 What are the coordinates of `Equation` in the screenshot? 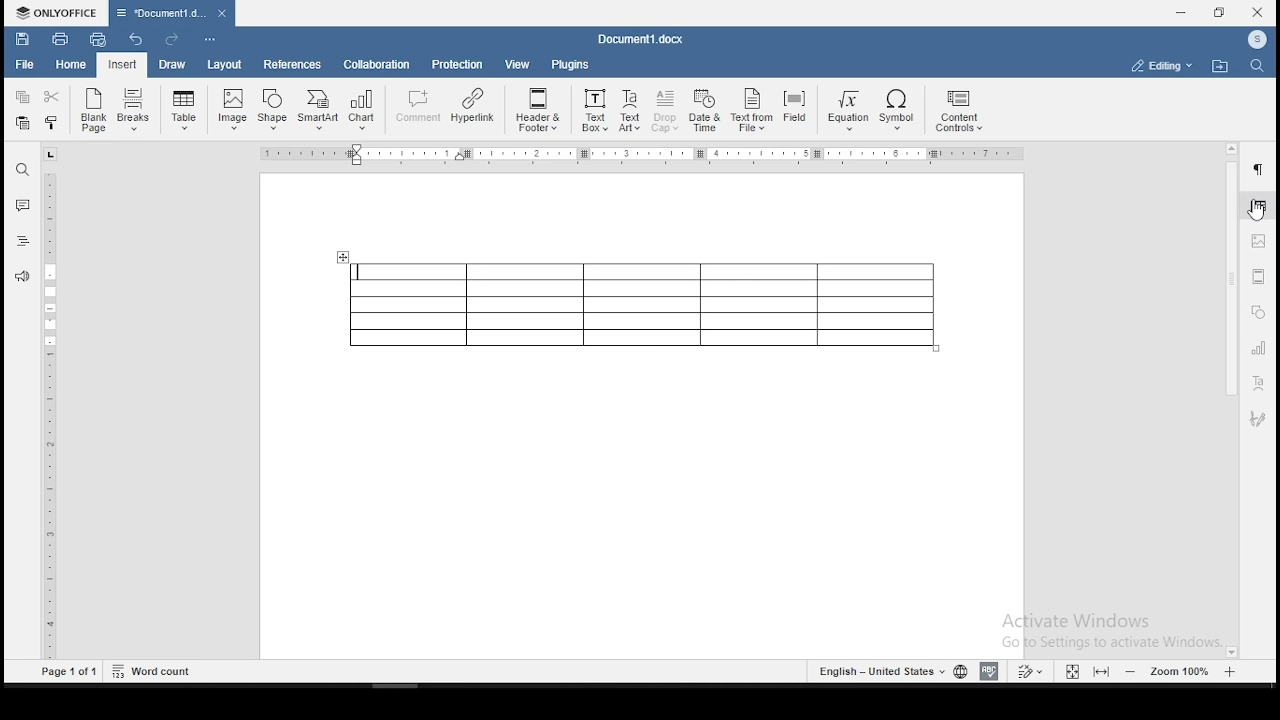 It's located at (845, 112).